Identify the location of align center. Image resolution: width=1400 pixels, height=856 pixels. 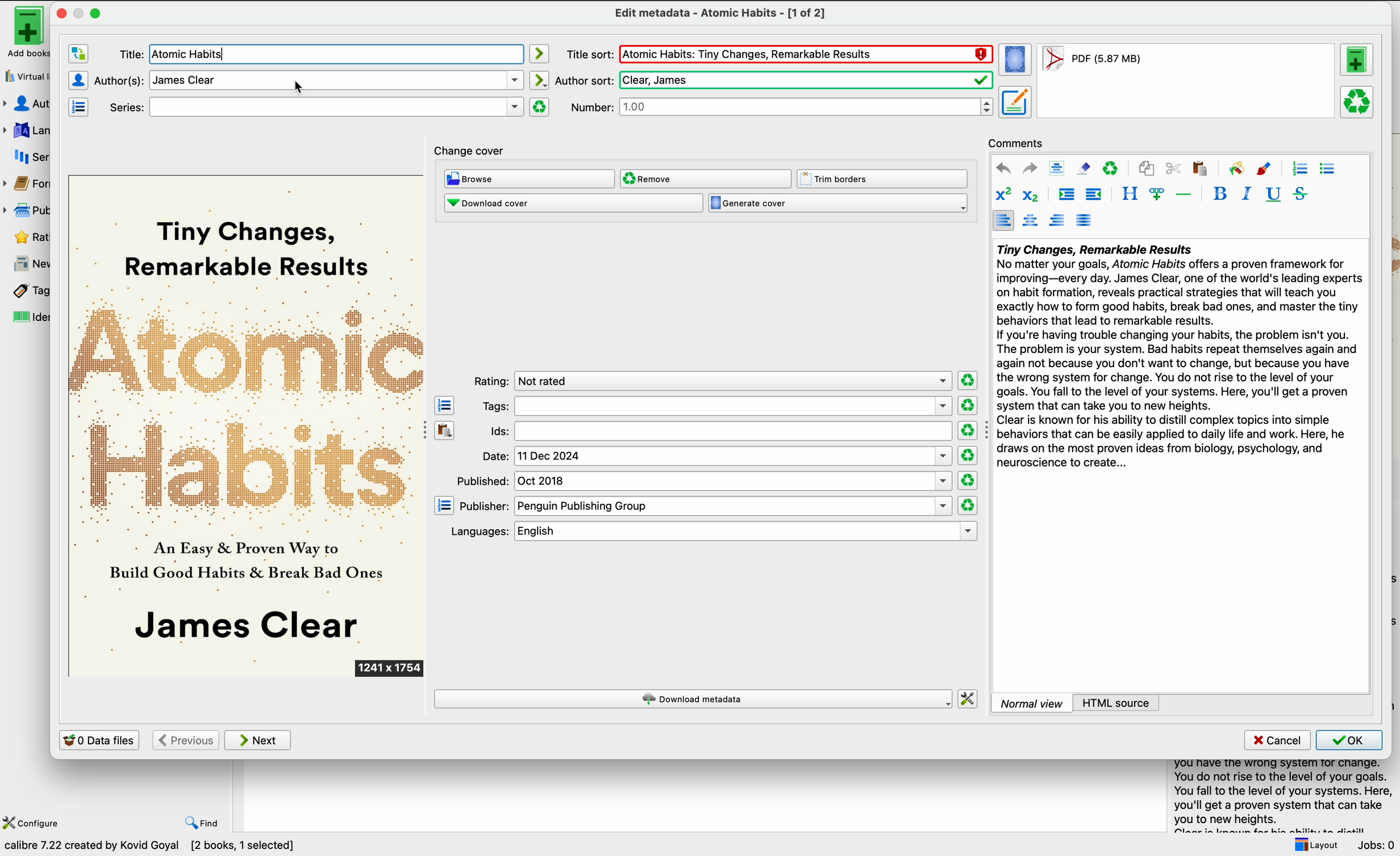
(1030, 221).